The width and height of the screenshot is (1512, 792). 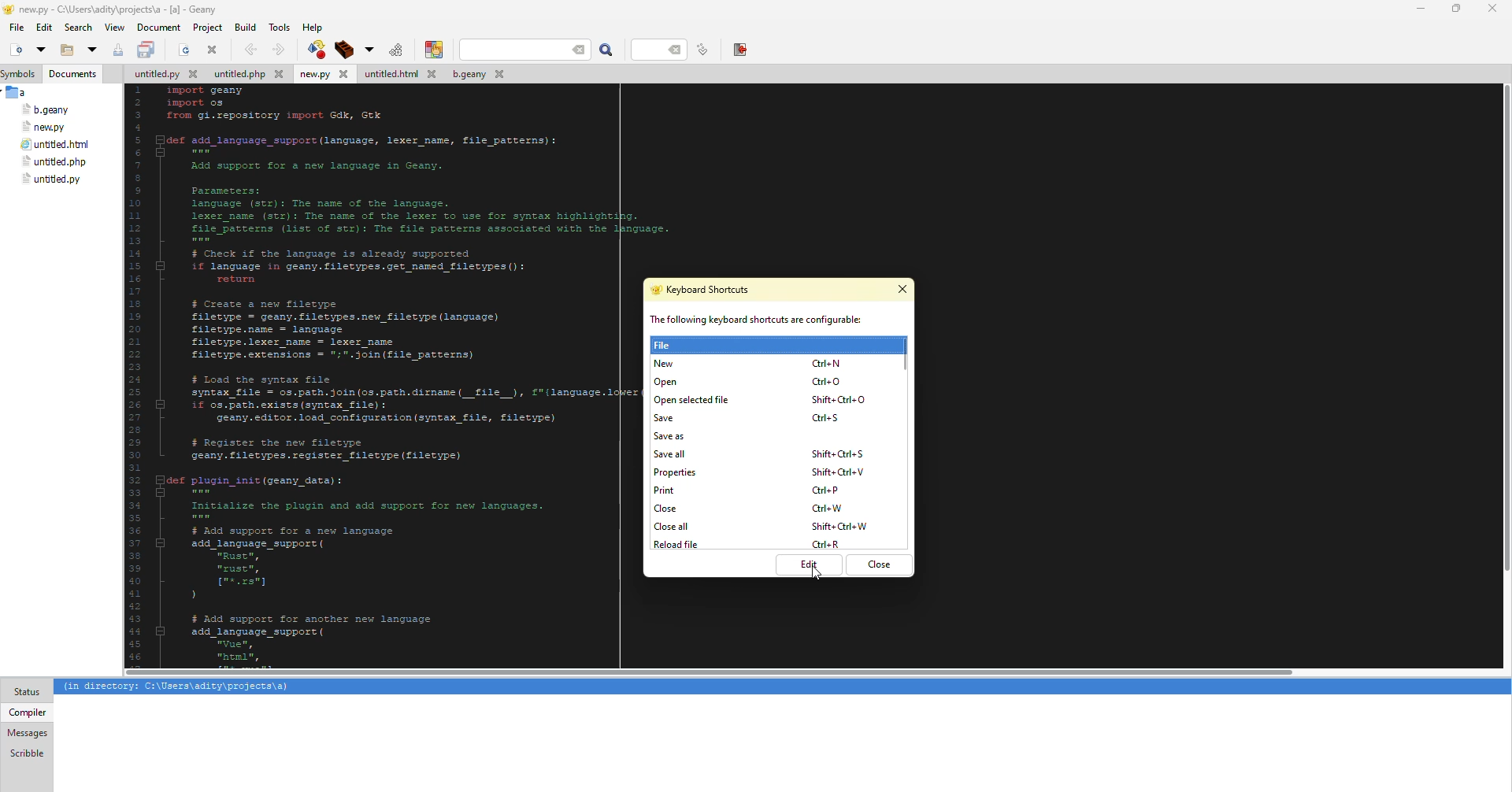 What do you see at coordinates (739, 49) in the screenshot?
I see `exit` at bounding box center [739, 49].